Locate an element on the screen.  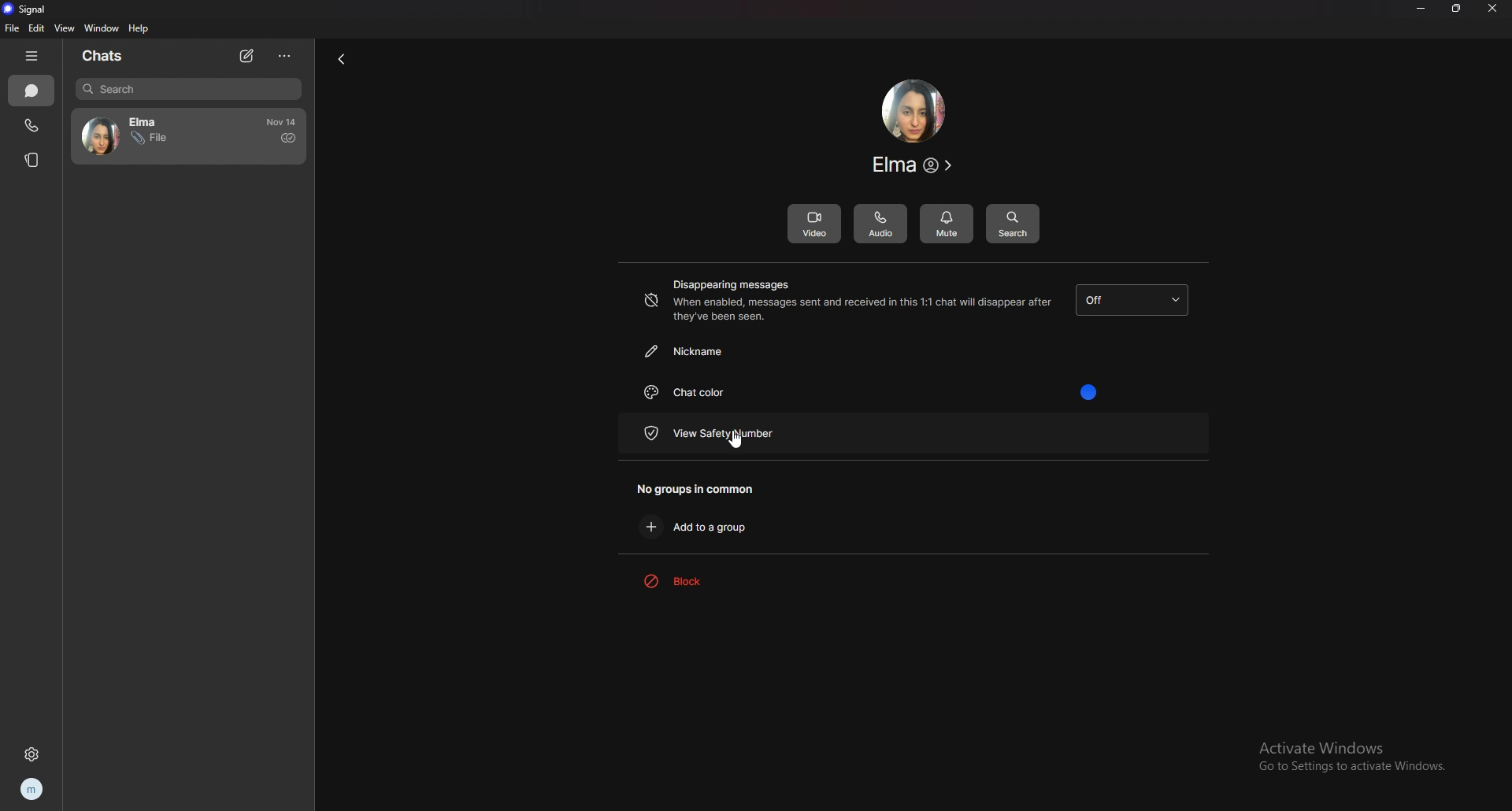
chat color is located at coordinates (888, 392).